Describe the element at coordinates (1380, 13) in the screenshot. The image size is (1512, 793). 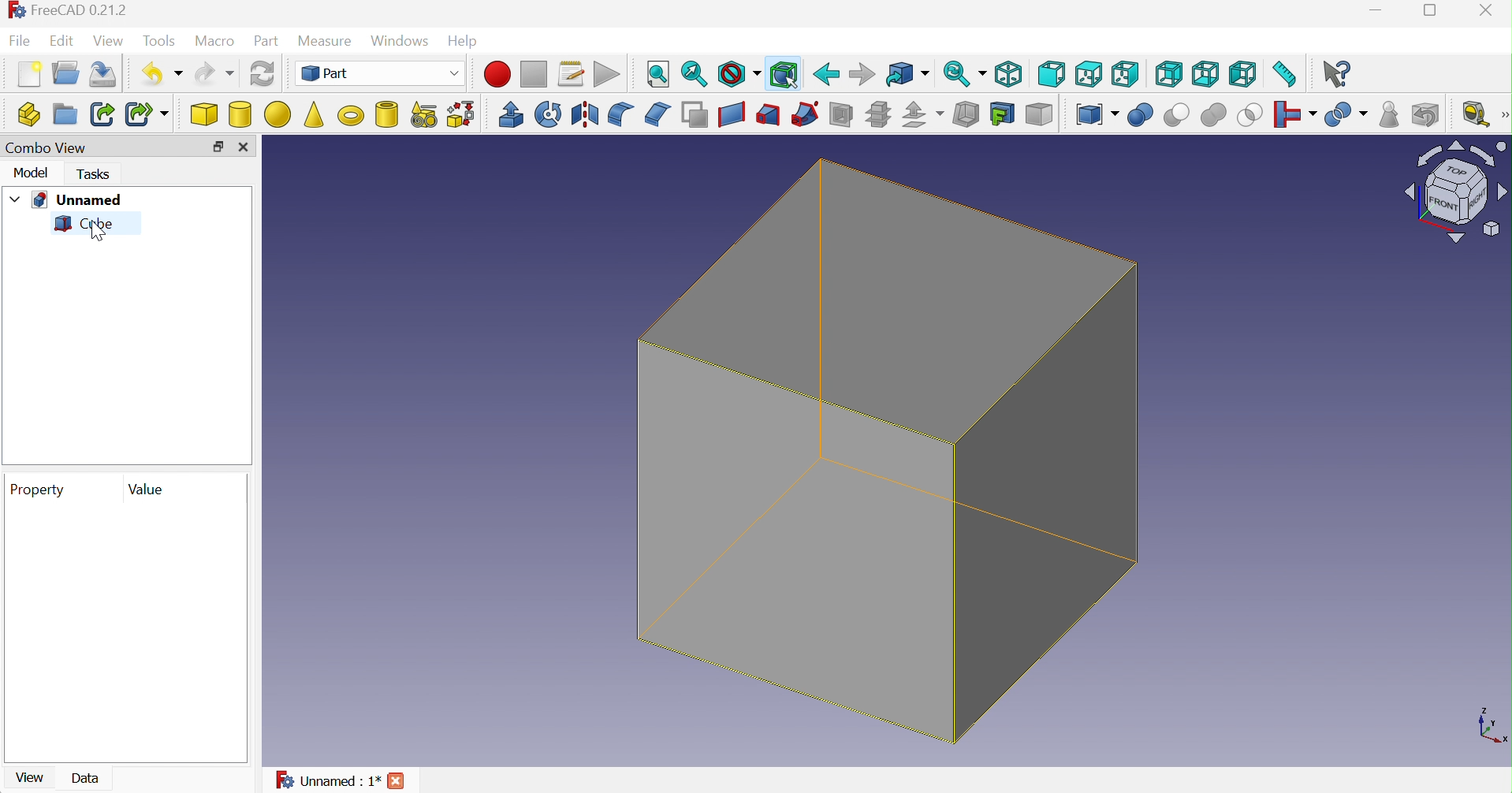
I see `Minimize` at that location.